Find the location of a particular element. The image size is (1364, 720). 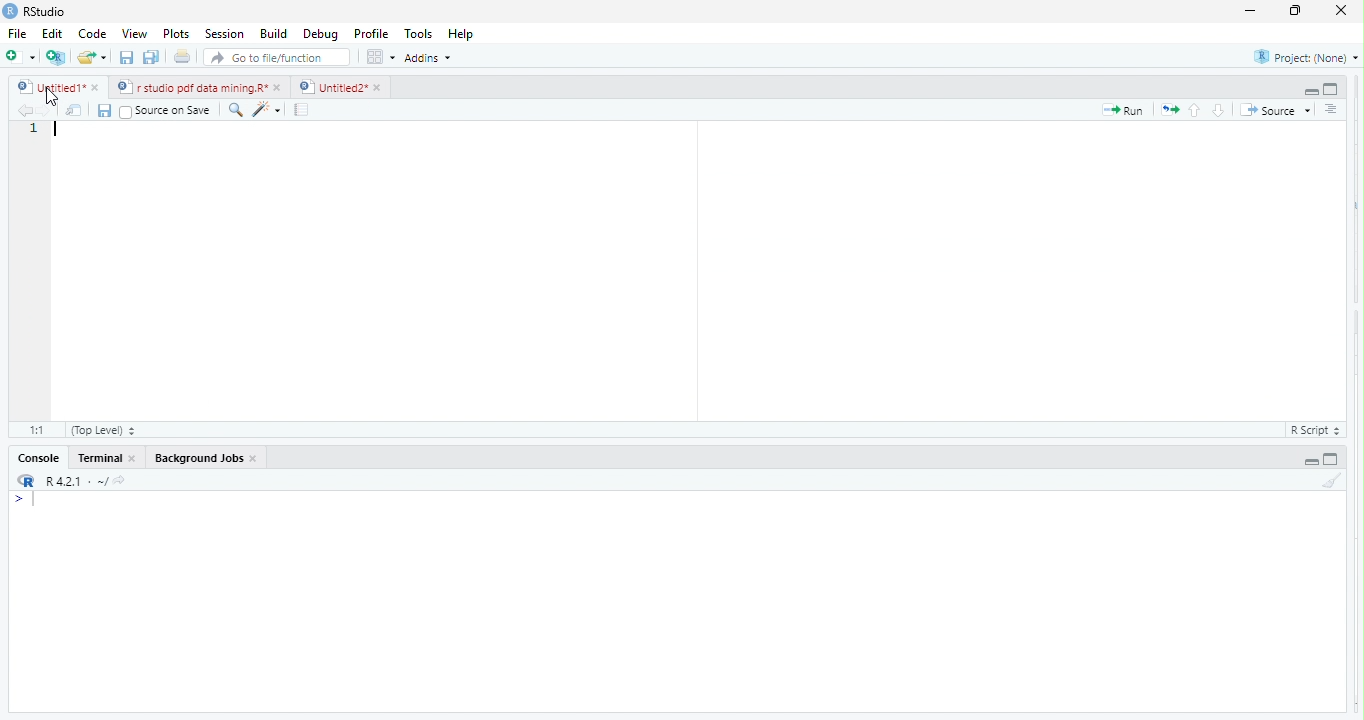

 project: (None) is located at coordinates (1307, 60).